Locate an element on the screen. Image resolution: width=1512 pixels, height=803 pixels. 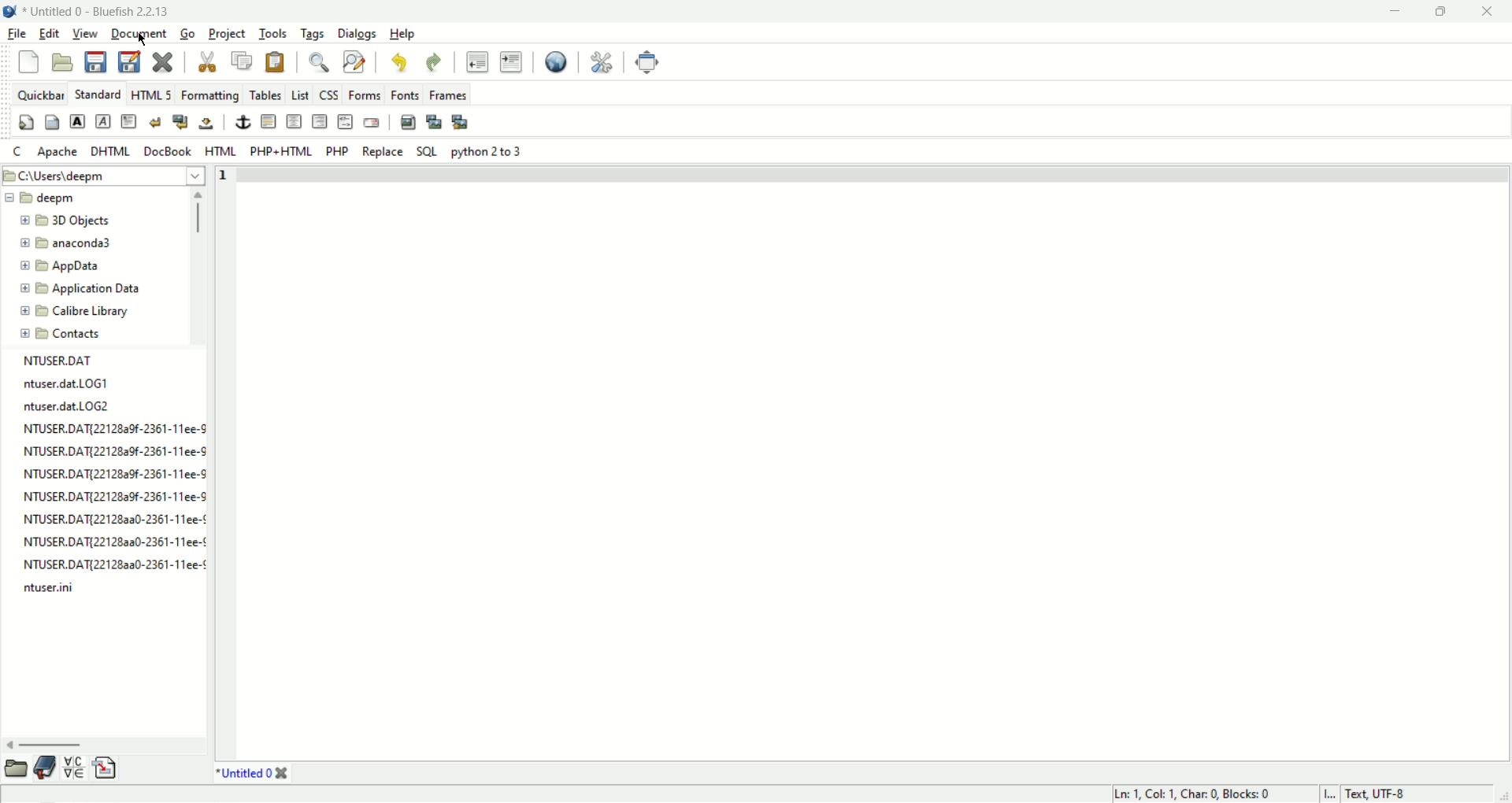
file path is located at coordinates (103, 176).